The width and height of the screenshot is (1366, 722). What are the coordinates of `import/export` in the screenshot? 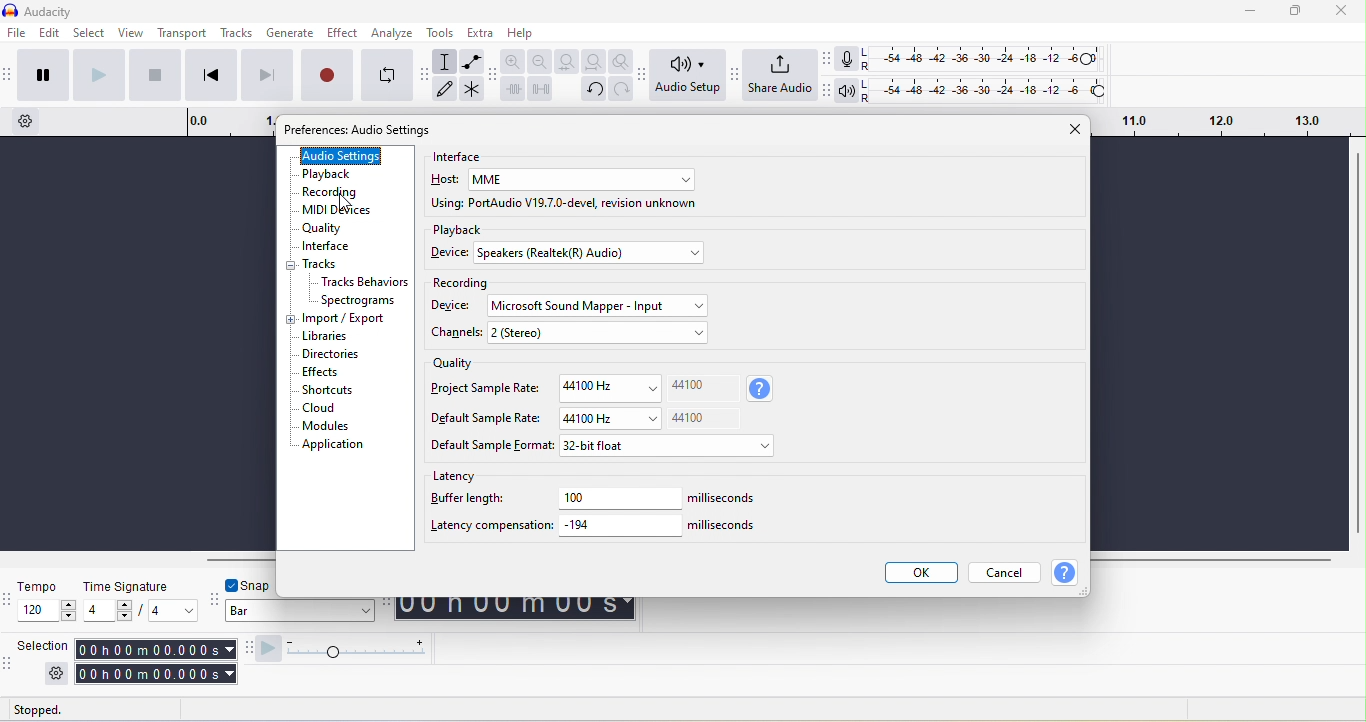 It's located at (341, 319).